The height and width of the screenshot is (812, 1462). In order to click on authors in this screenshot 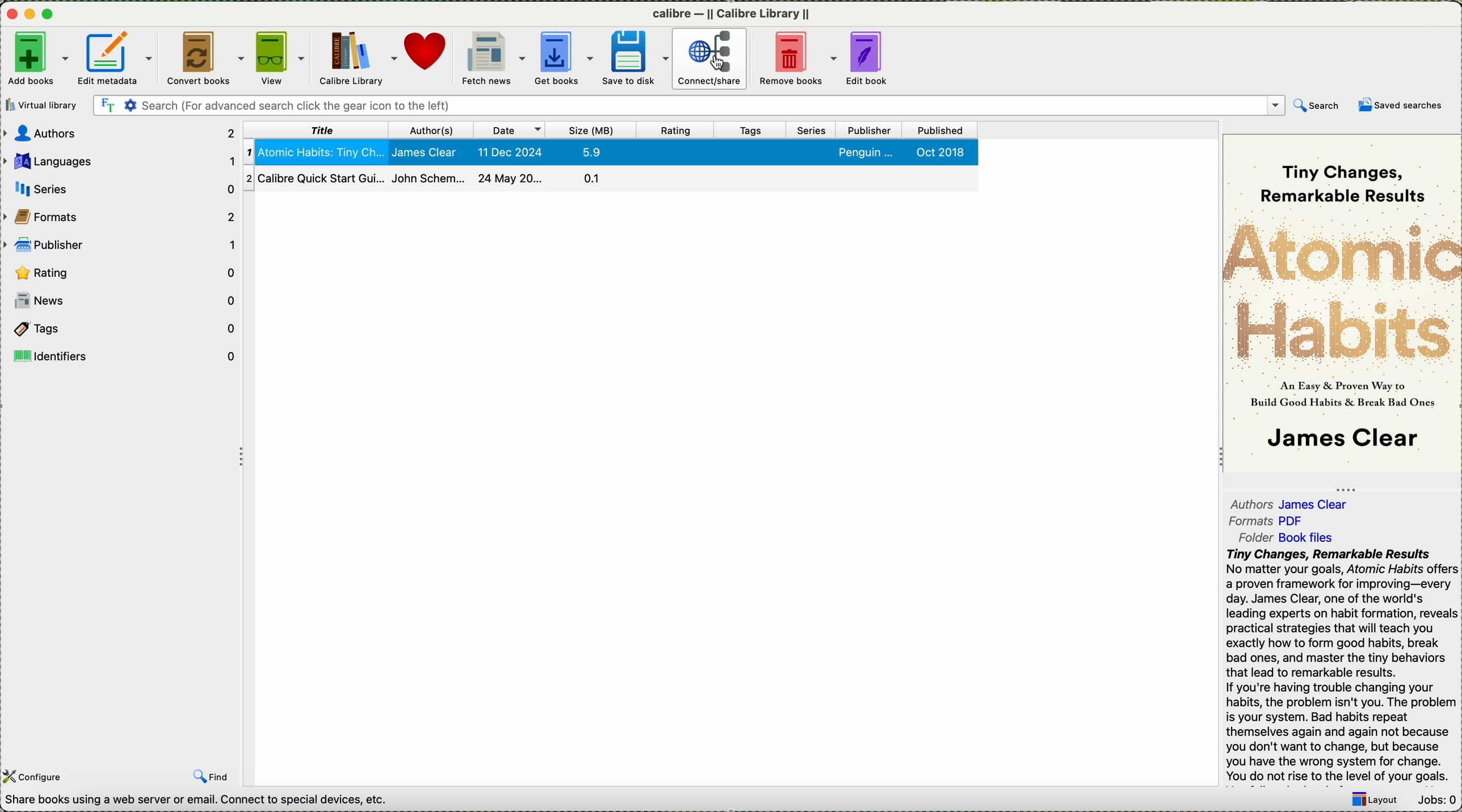, I will do `click(120, 133)`.